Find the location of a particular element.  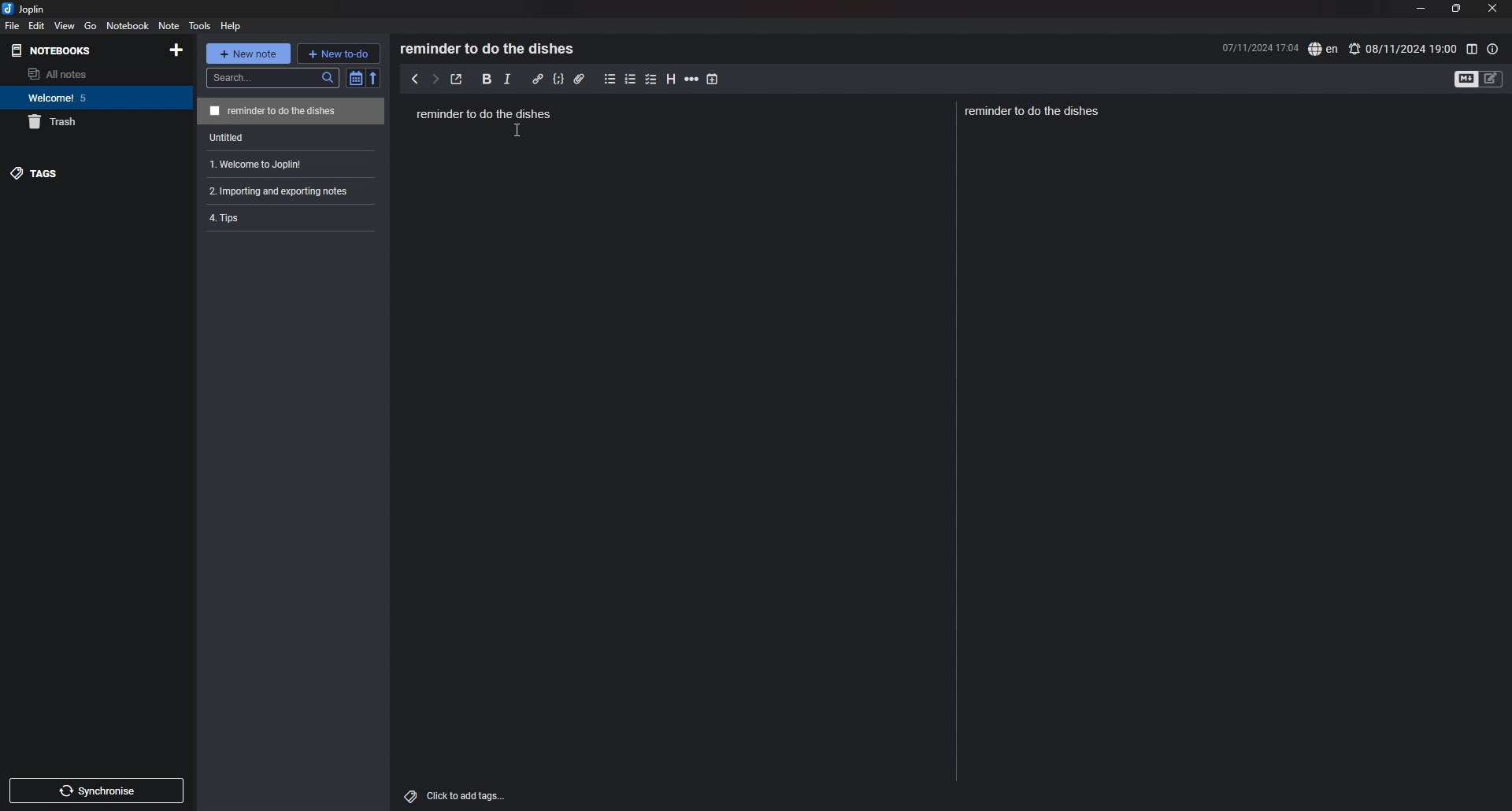

note is located at coordinates (169, 26).